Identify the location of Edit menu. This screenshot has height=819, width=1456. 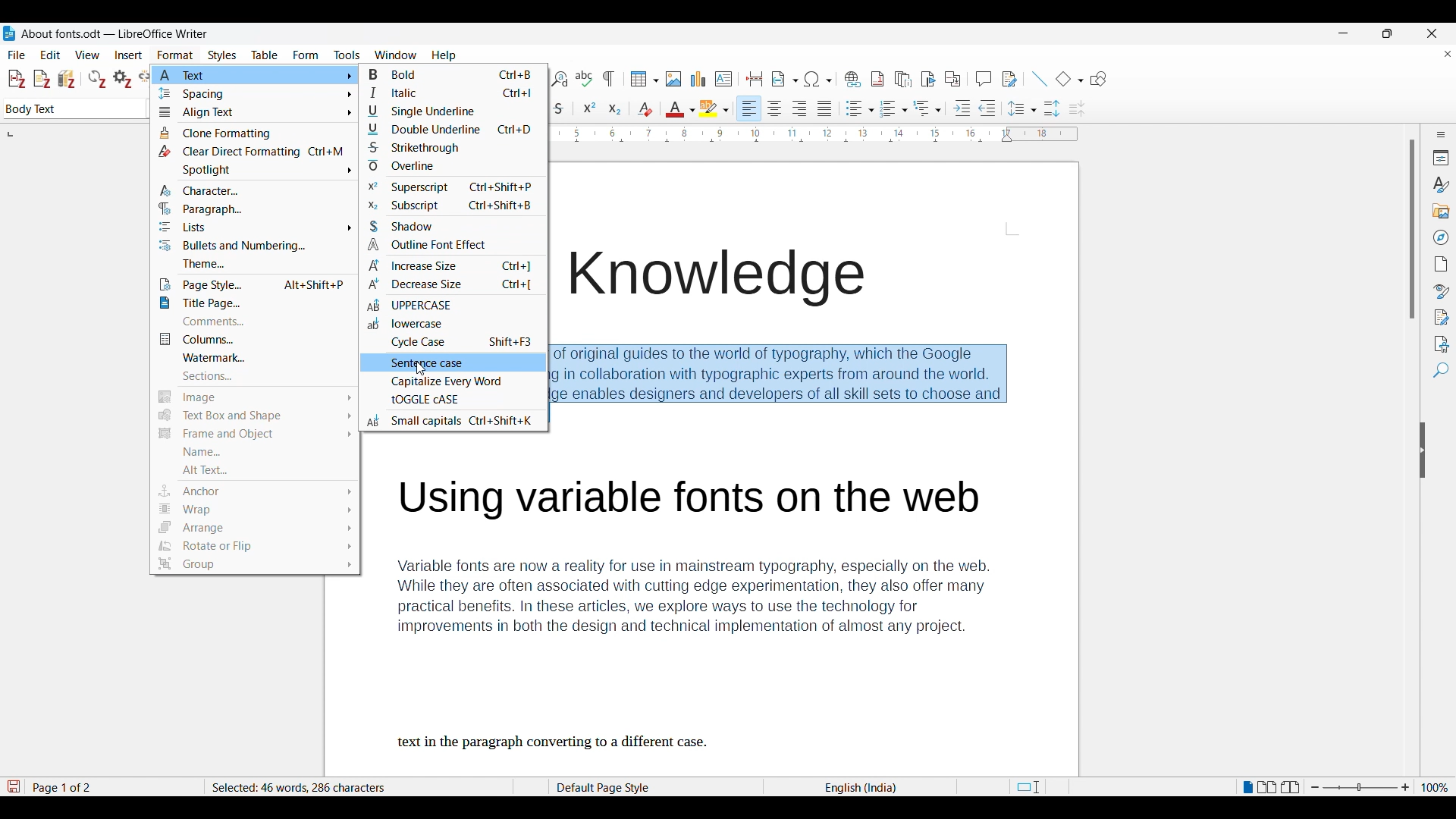
(50, 55).